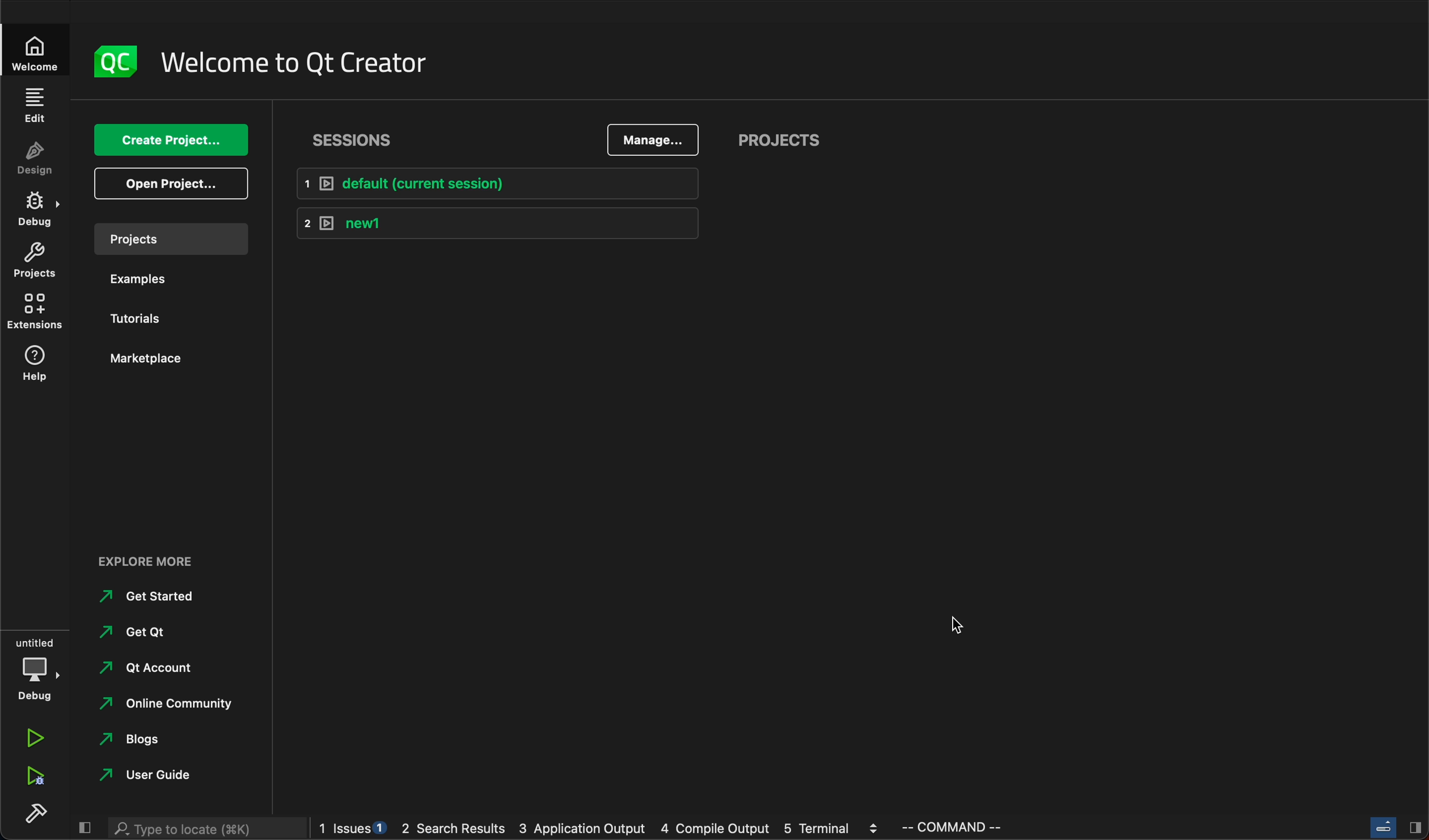 Image resolution: width=1429 pixels, height=840 pixels. Describe the element at coordinates (298, 63) in the screenshot. I see `welcome` at that location.